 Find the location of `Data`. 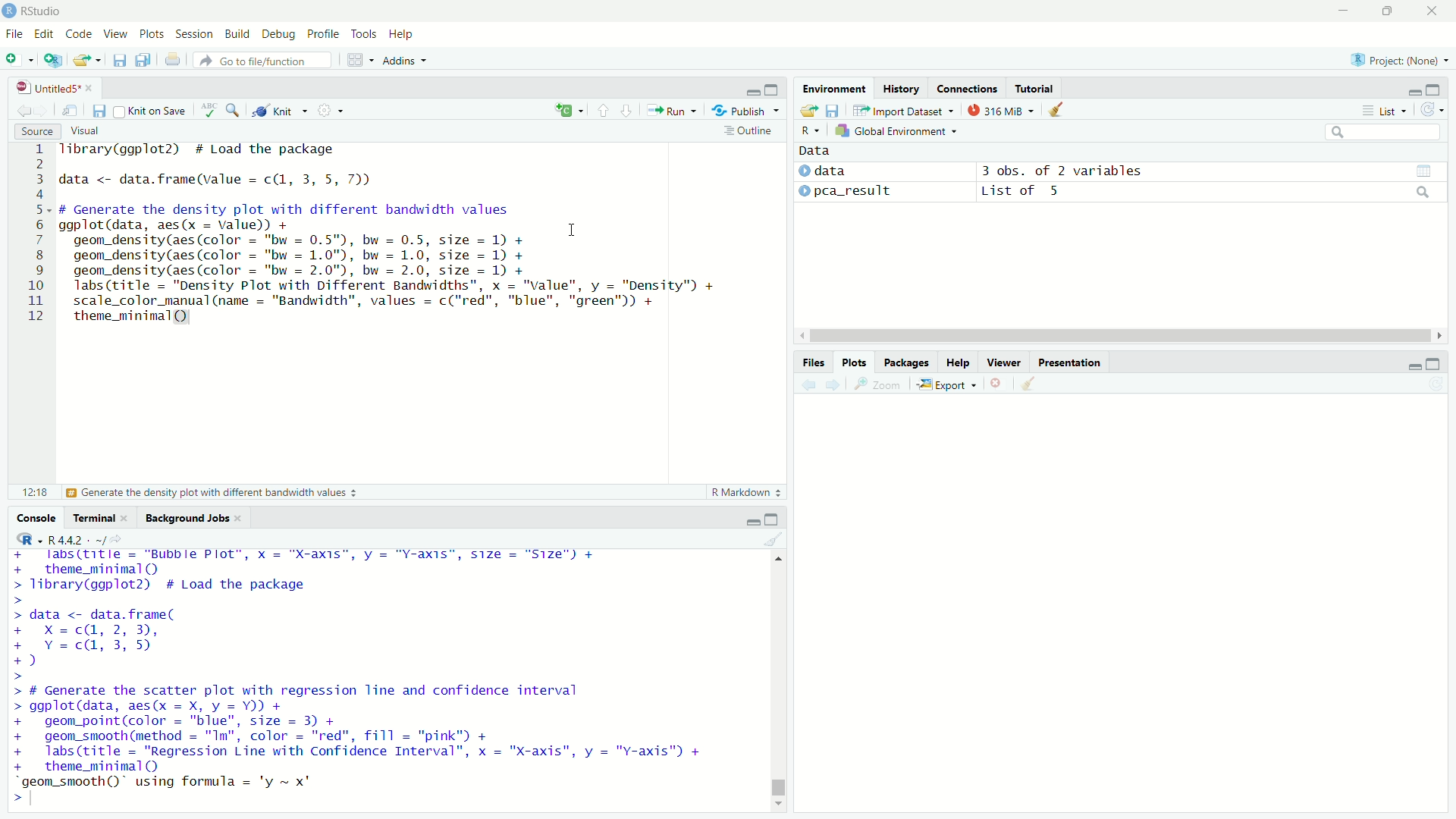

Data is located at coordinates (815, 151).